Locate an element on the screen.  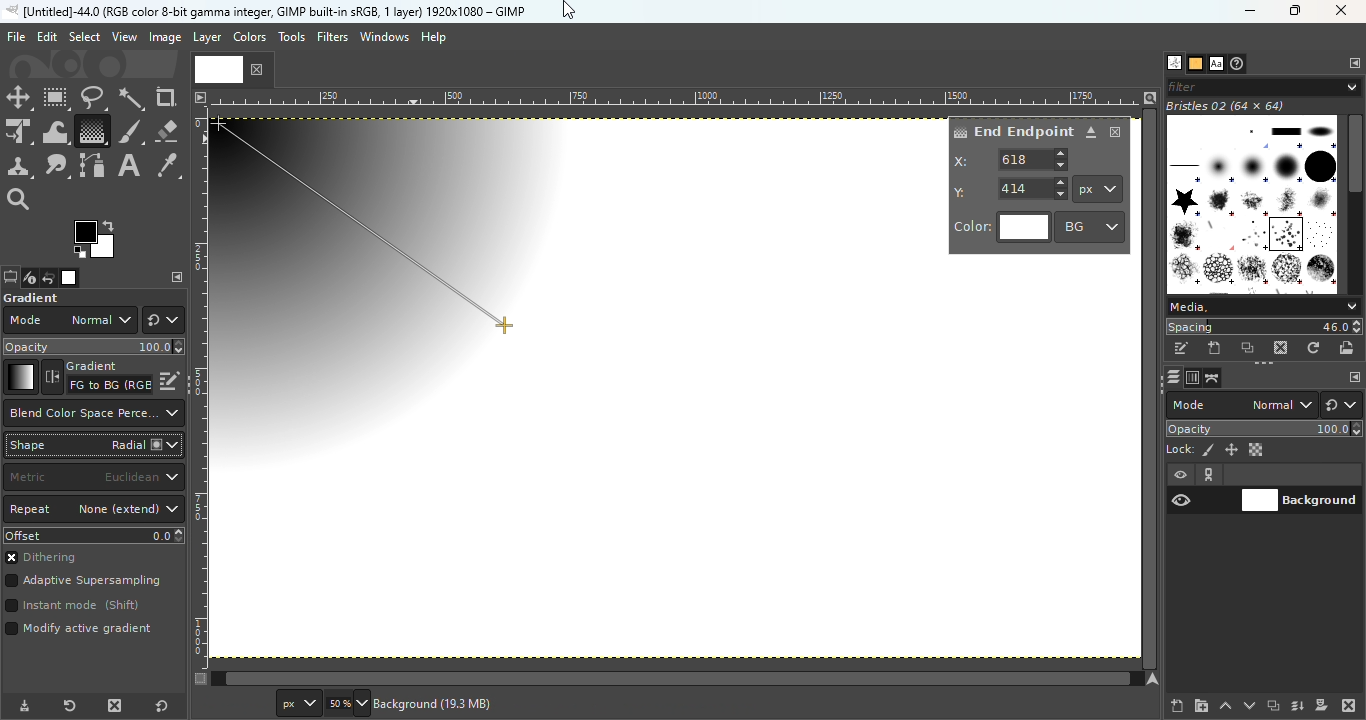
Configure this tab is located at coordinates (1353, 64).